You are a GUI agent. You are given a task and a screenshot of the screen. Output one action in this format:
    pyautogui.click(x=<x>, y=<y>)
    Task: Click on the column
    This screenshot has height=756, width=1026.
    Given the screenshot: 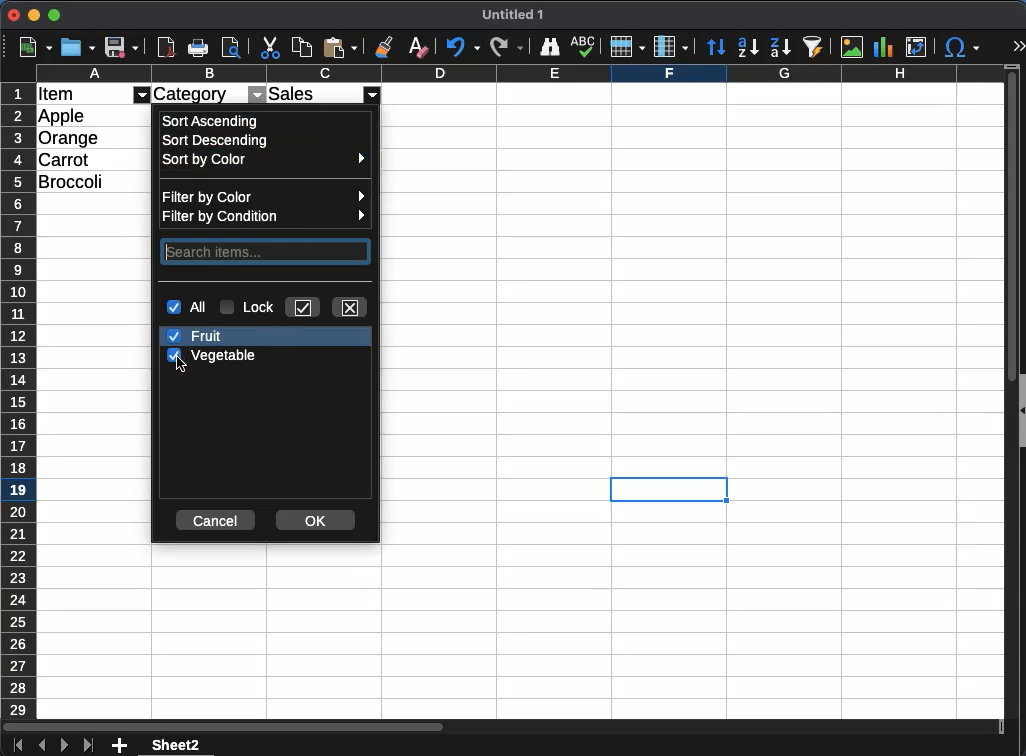 What is the action you would take?
    pyautogui.click(x=519, y=74)
    